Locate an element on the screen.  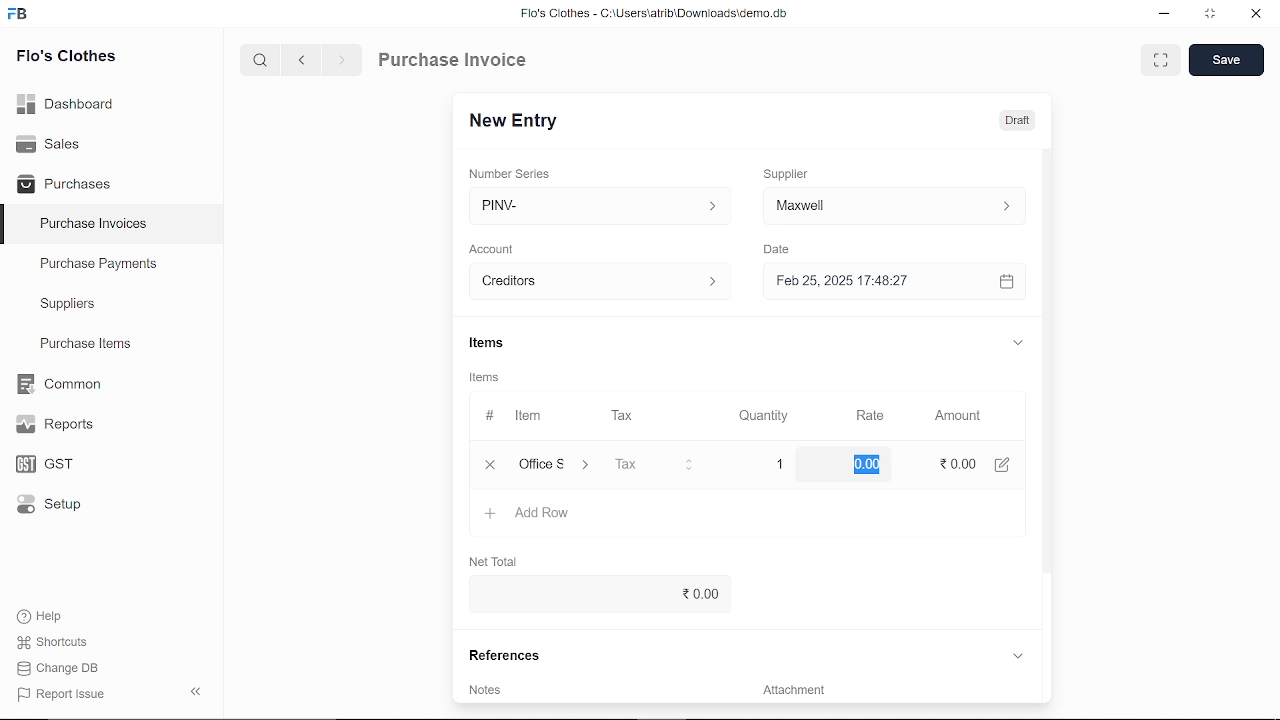
Purchase Invoices is located at coordinates (94, 226).